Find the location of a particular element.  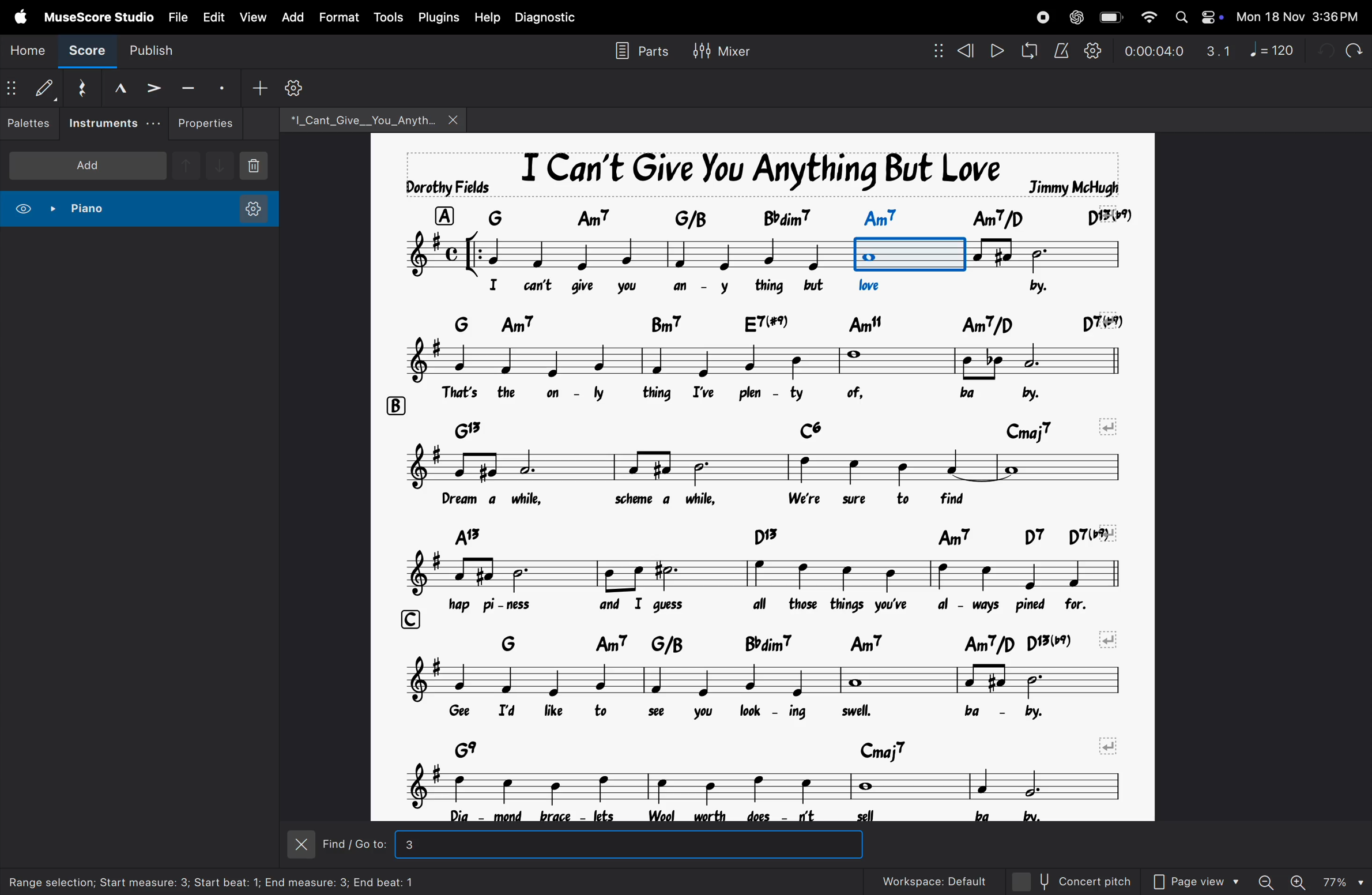

add is located at coordinates (87, 164).